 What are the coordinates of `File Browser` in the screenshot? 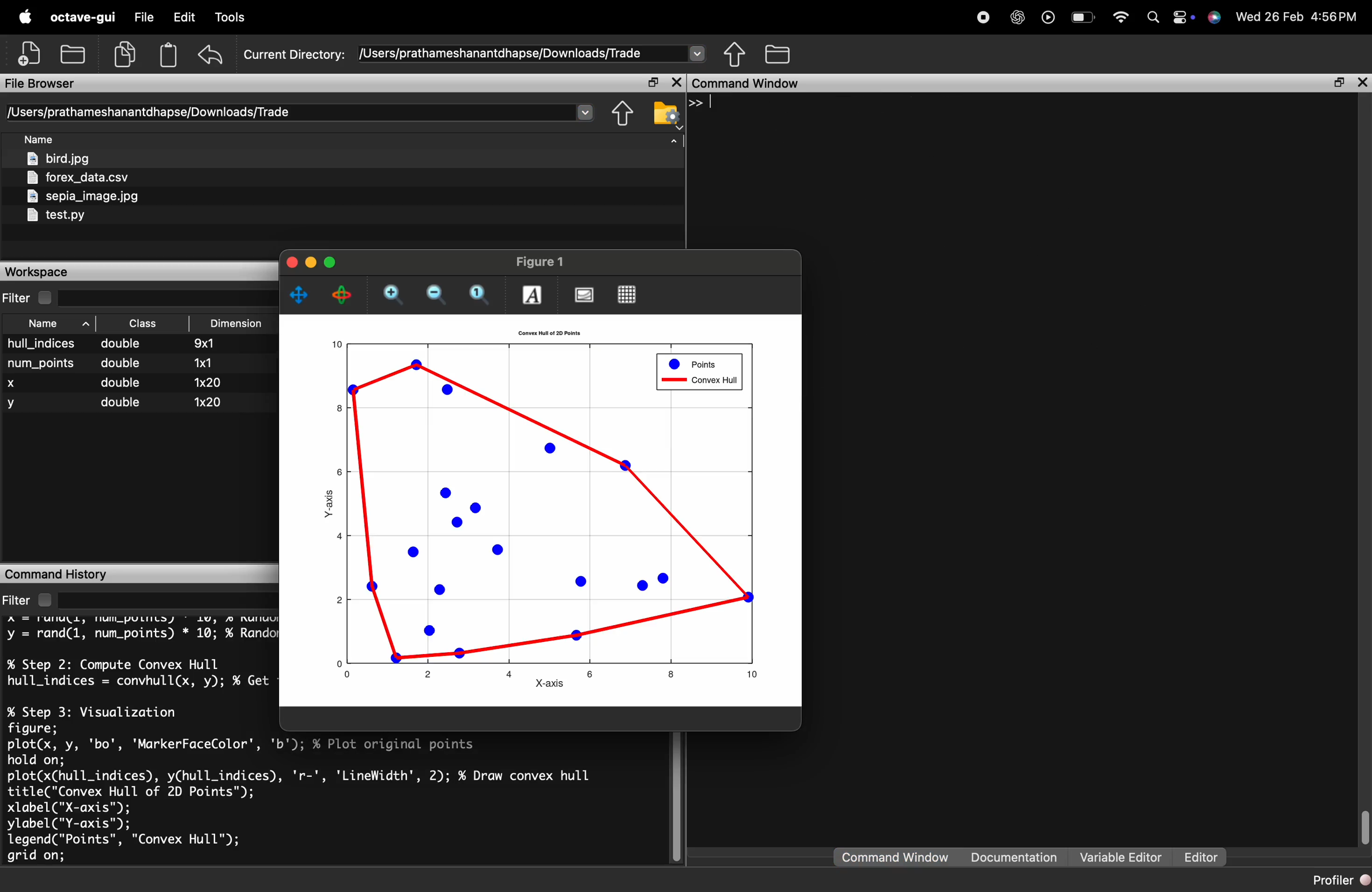 It's located at (40, 84).